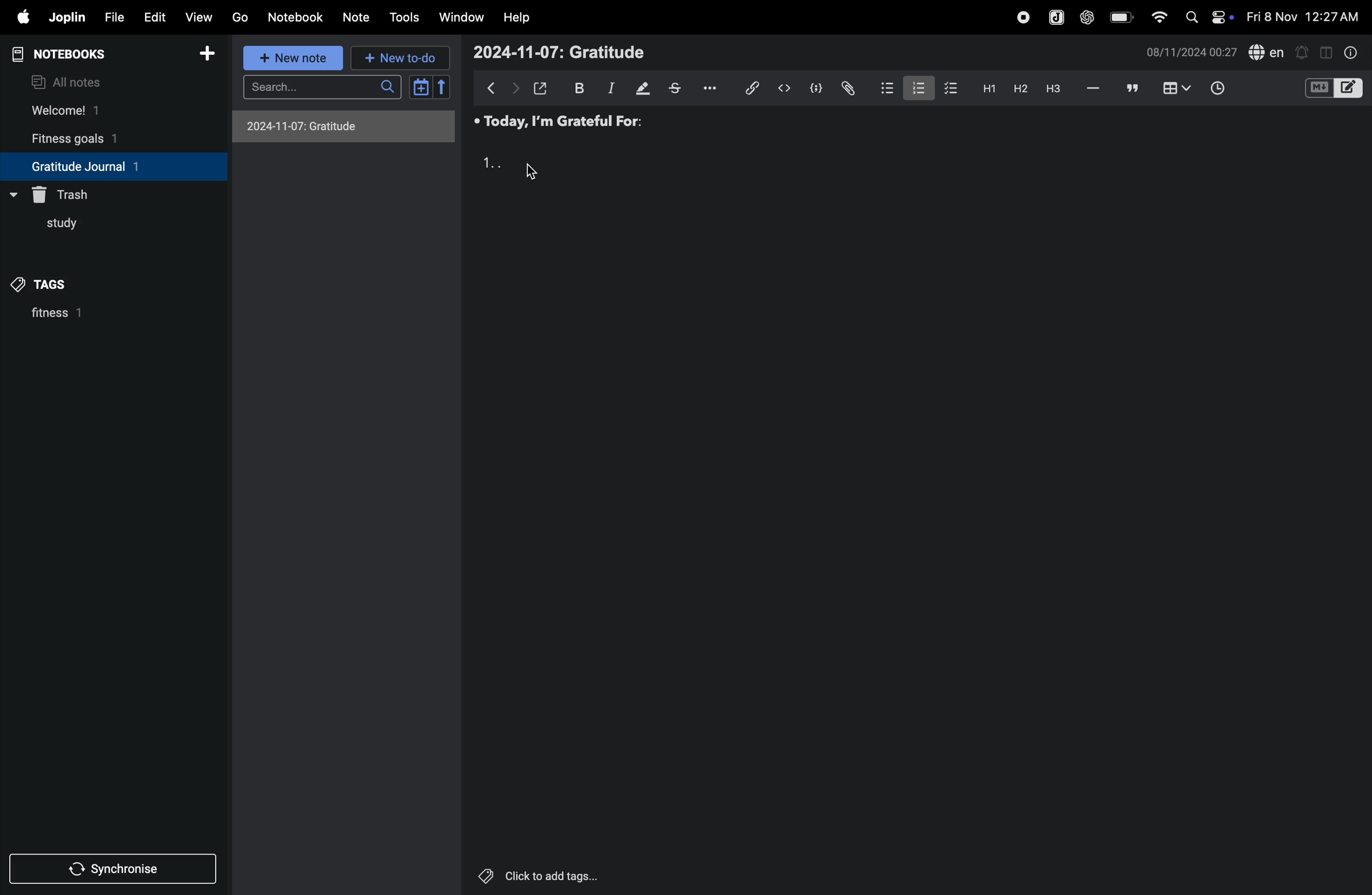  Describe the element at coordinates (1133, 88) in the screenshot. I see `blockquote` at that location.